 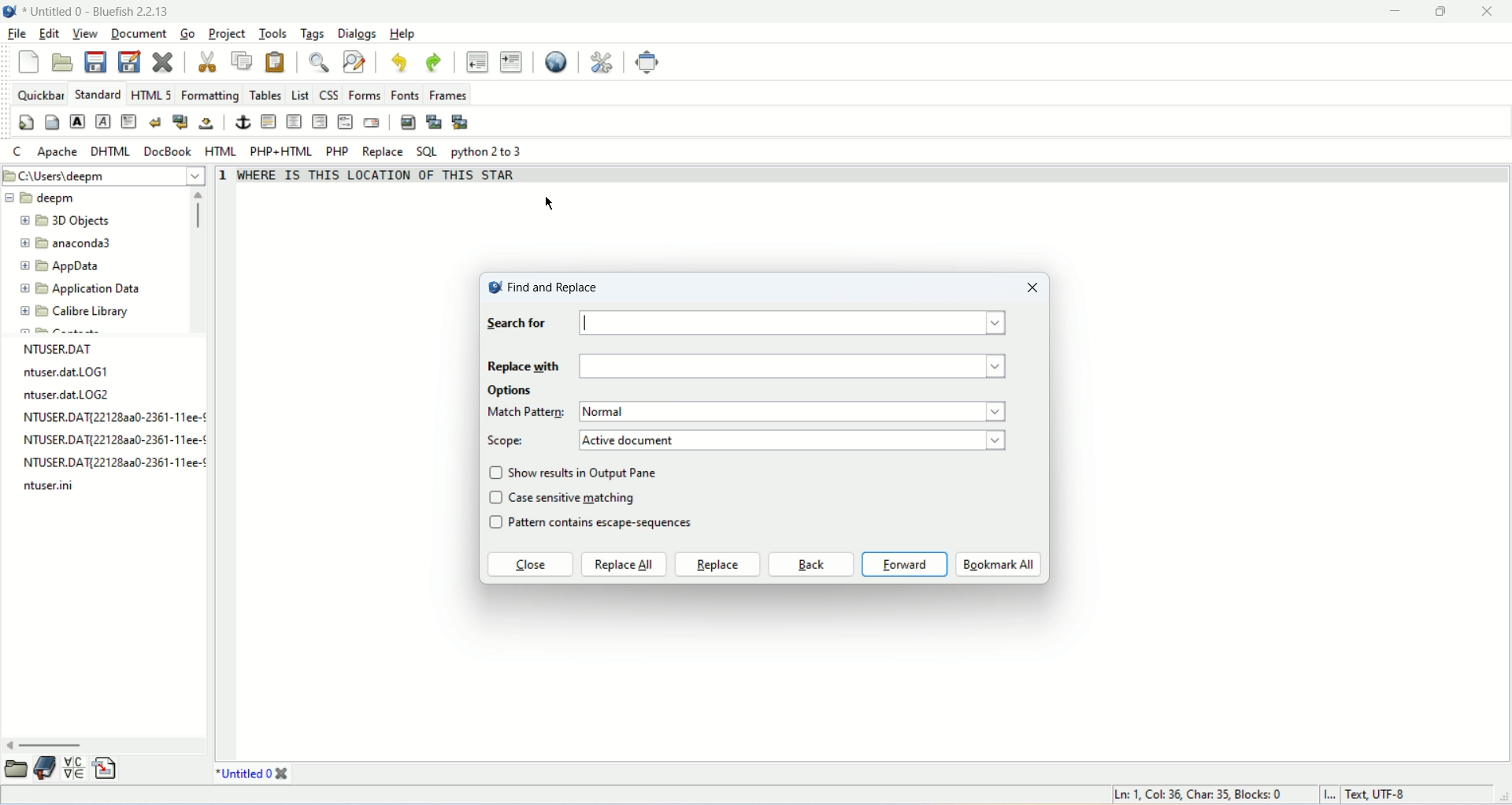 What do you see at coordinates (337, 150) in the screenshot?
I see `PHP` at bounding box center [337, 150].